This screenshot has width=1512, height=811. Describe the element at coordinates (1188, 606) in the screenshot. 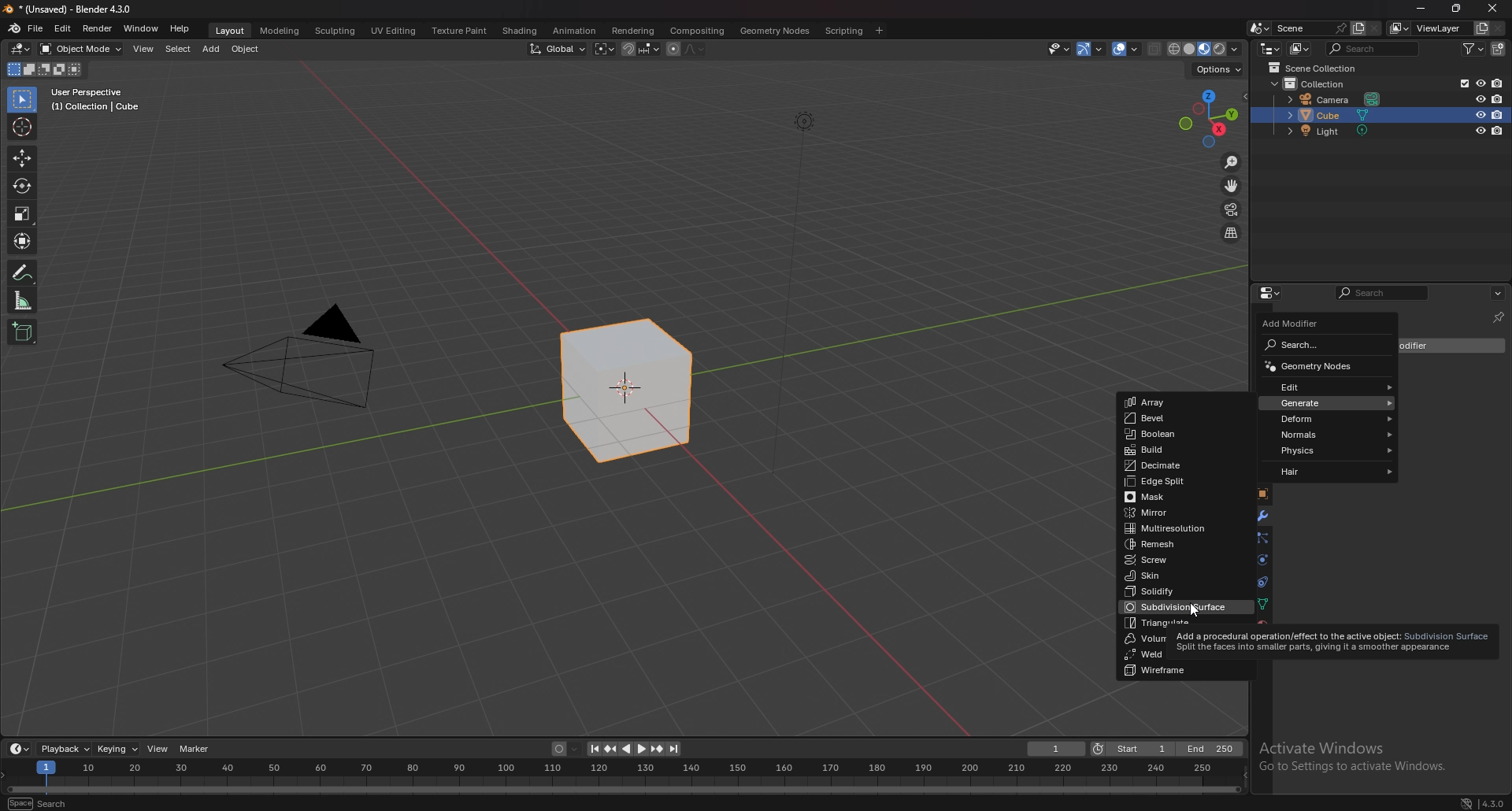

I see `sub division surface` at that location.